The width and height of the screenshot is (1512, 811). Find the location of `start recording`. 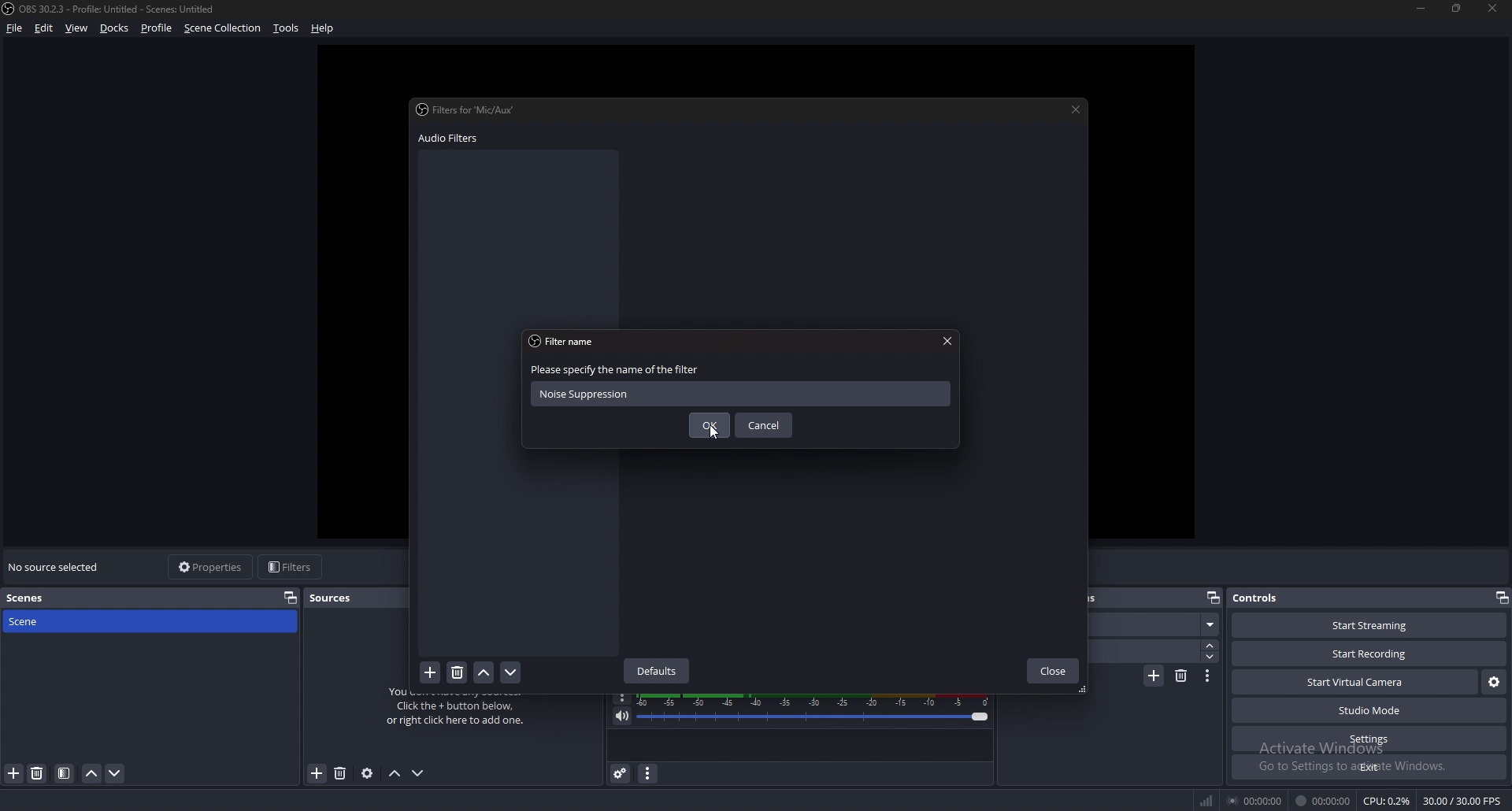

start recording is located at coordinates (1369, 654).